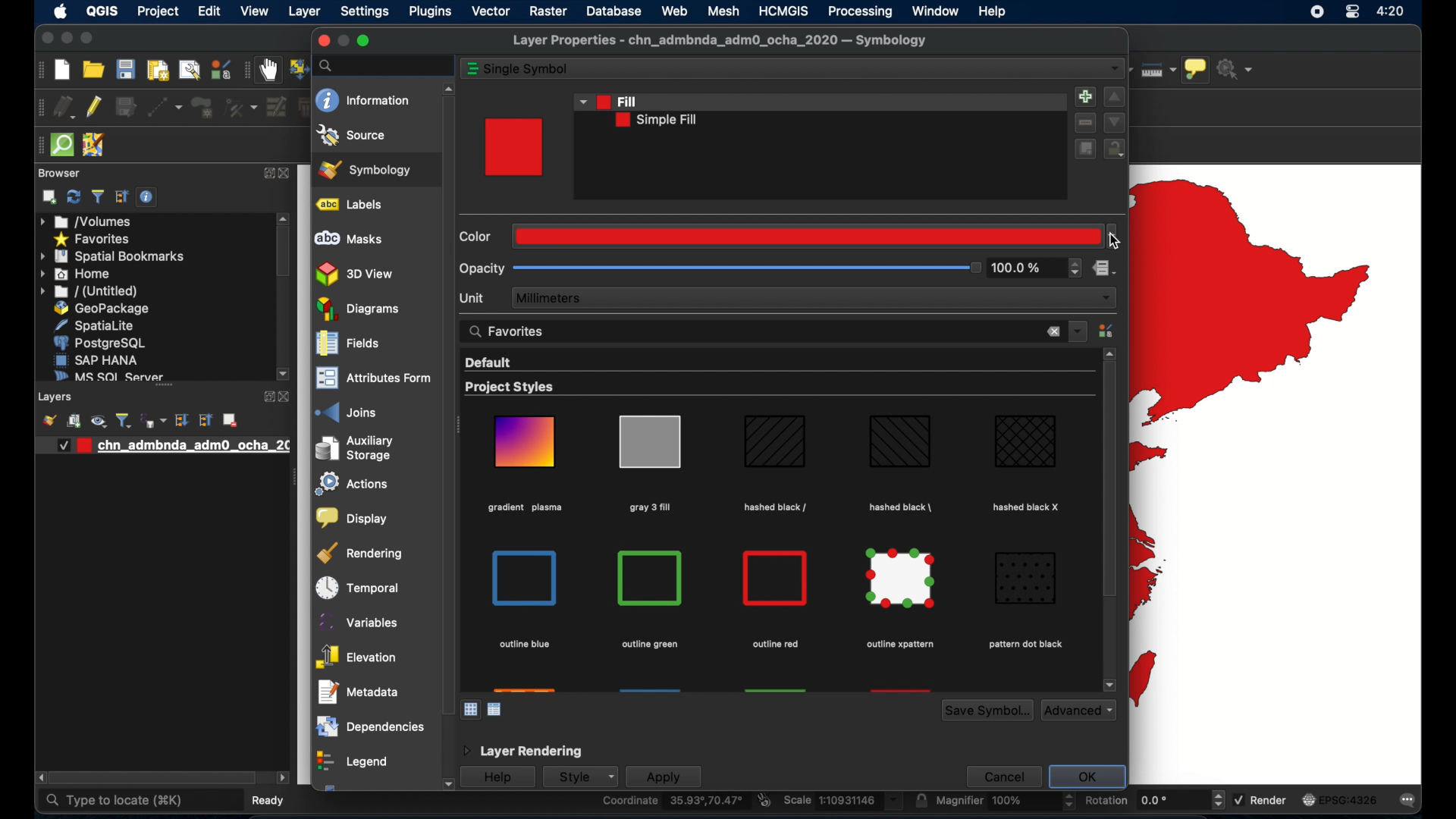  I want to click on move up, so click(1115, 98).